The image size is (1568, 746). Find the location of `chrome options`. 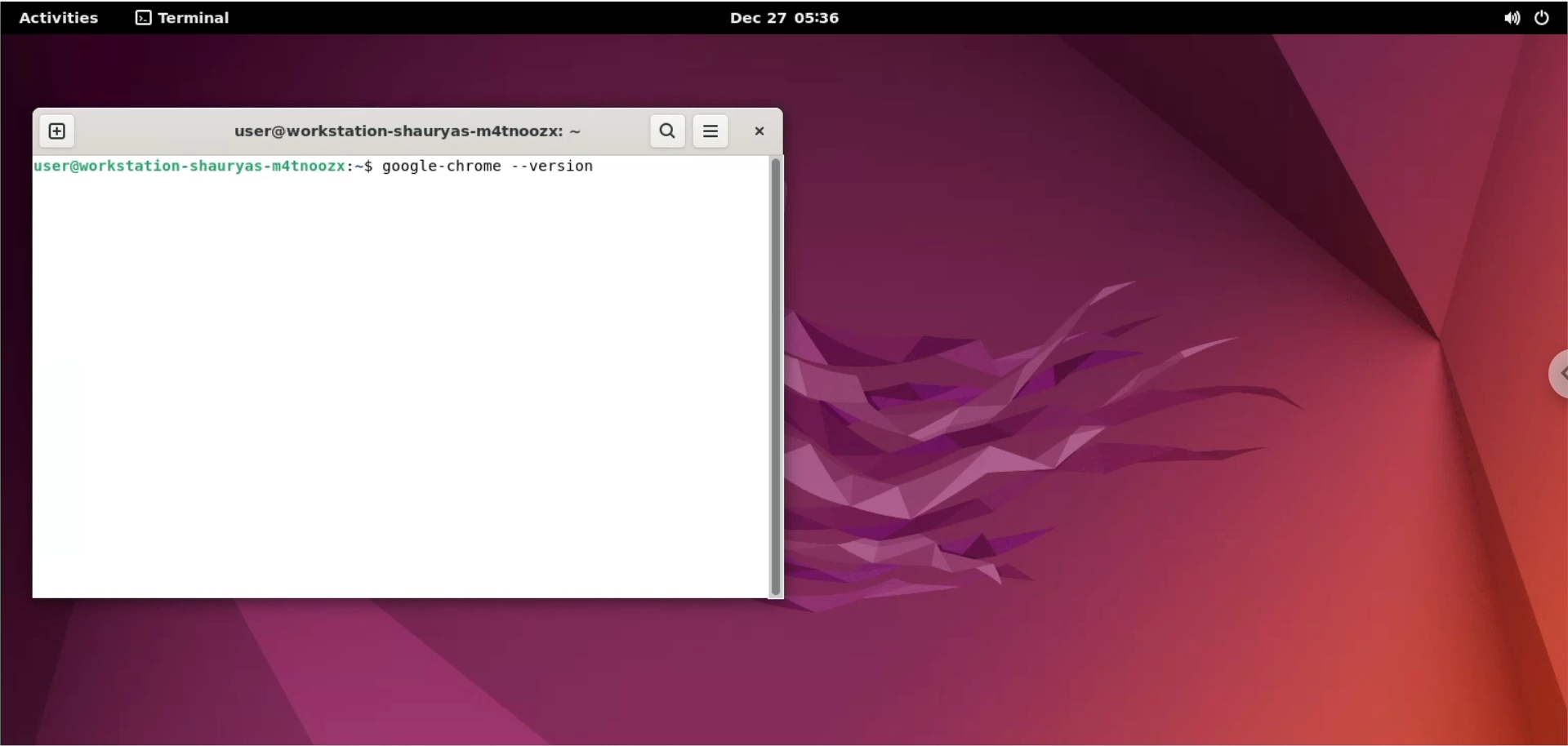

chrome options is located at coordinates (1553, 375).